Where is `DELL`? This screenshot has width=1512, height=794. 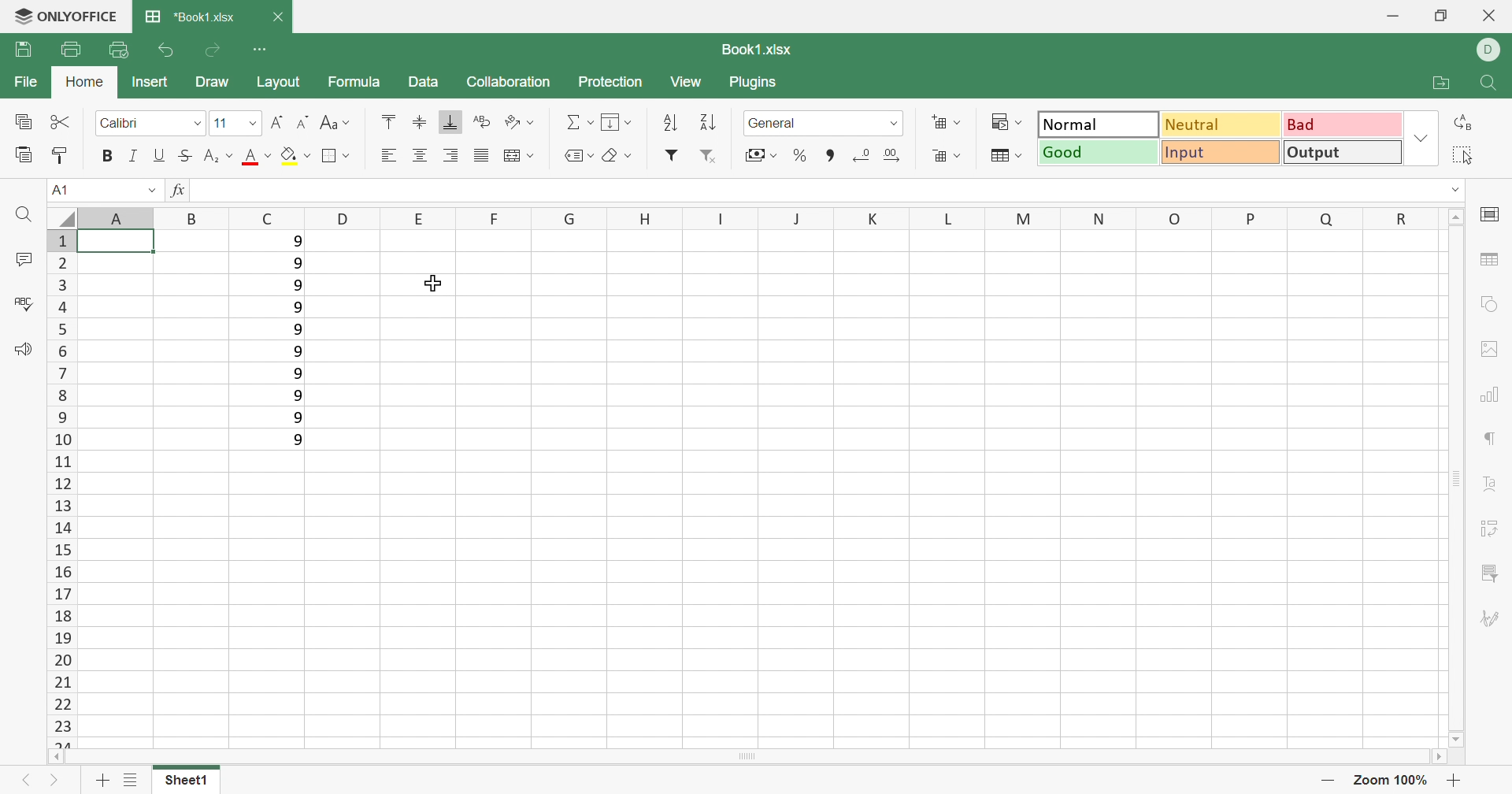 DELL is located at coordinates (1493, 48).